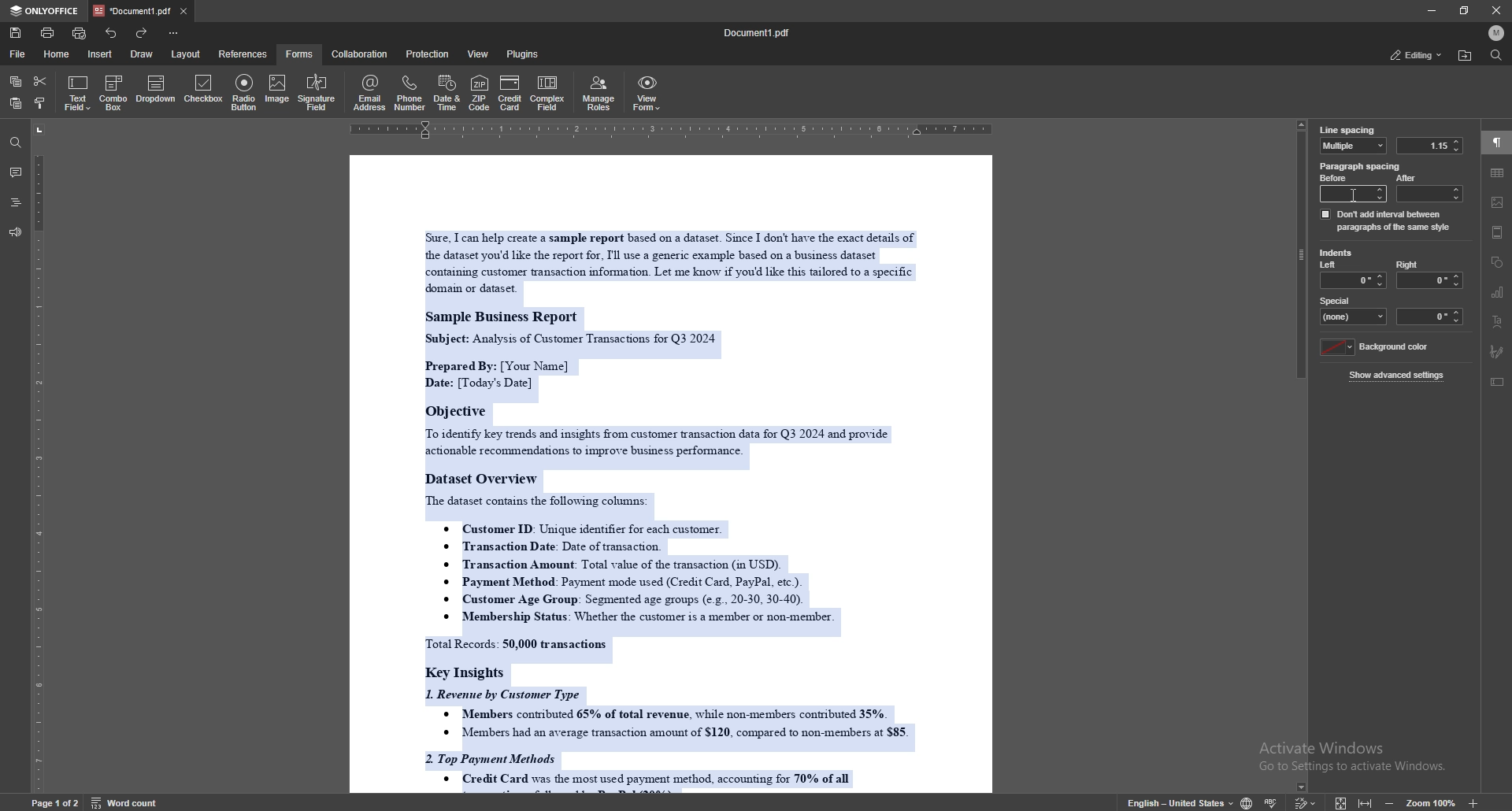 The width and height of the screenshot is (1512, 811). What do you see at coordinates (144, 53) in the screenshot?
I see `draw` at bounding box center [144, 53].